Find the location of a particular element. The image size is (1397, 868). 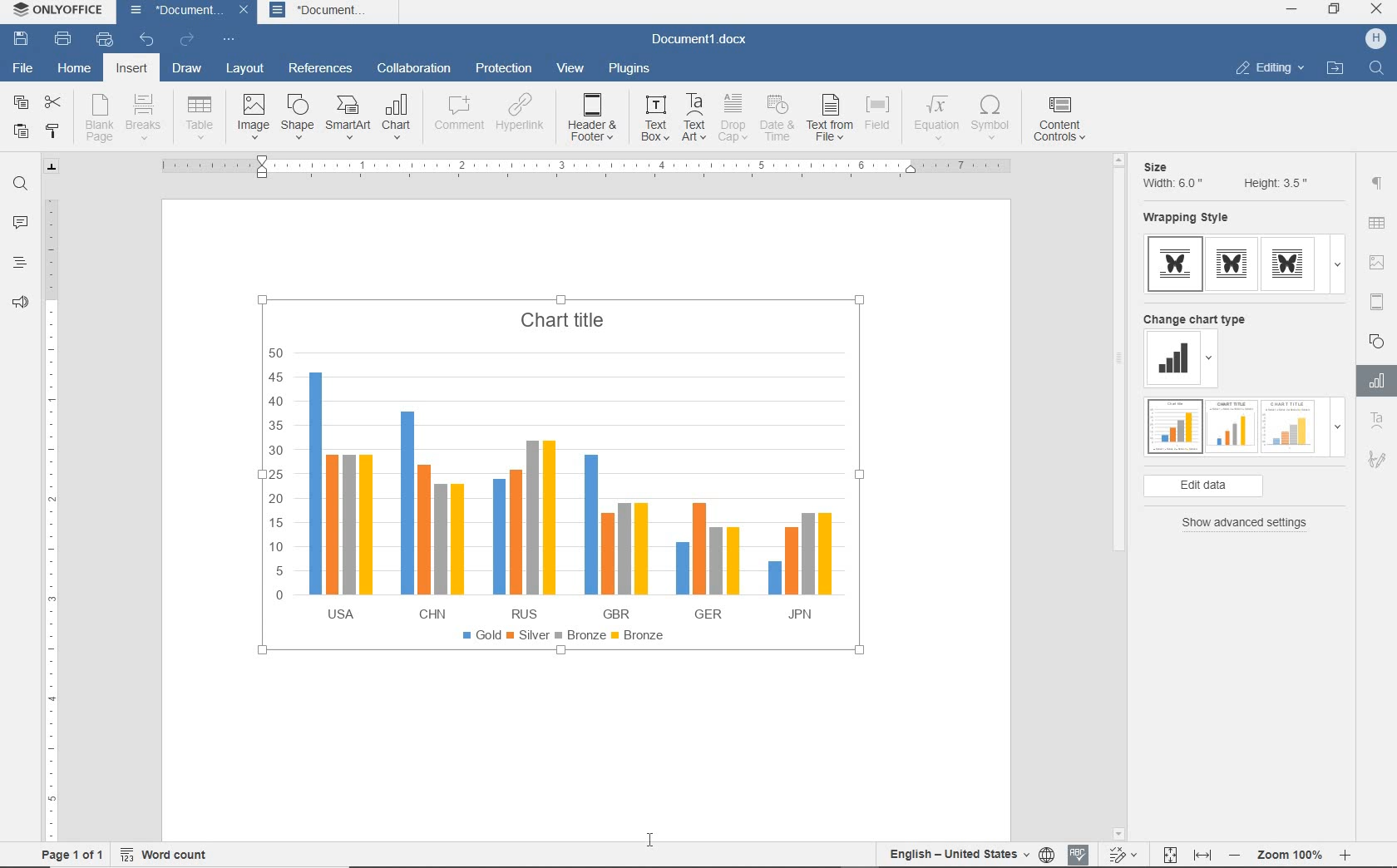

size is located at coordinates (1159, 162).